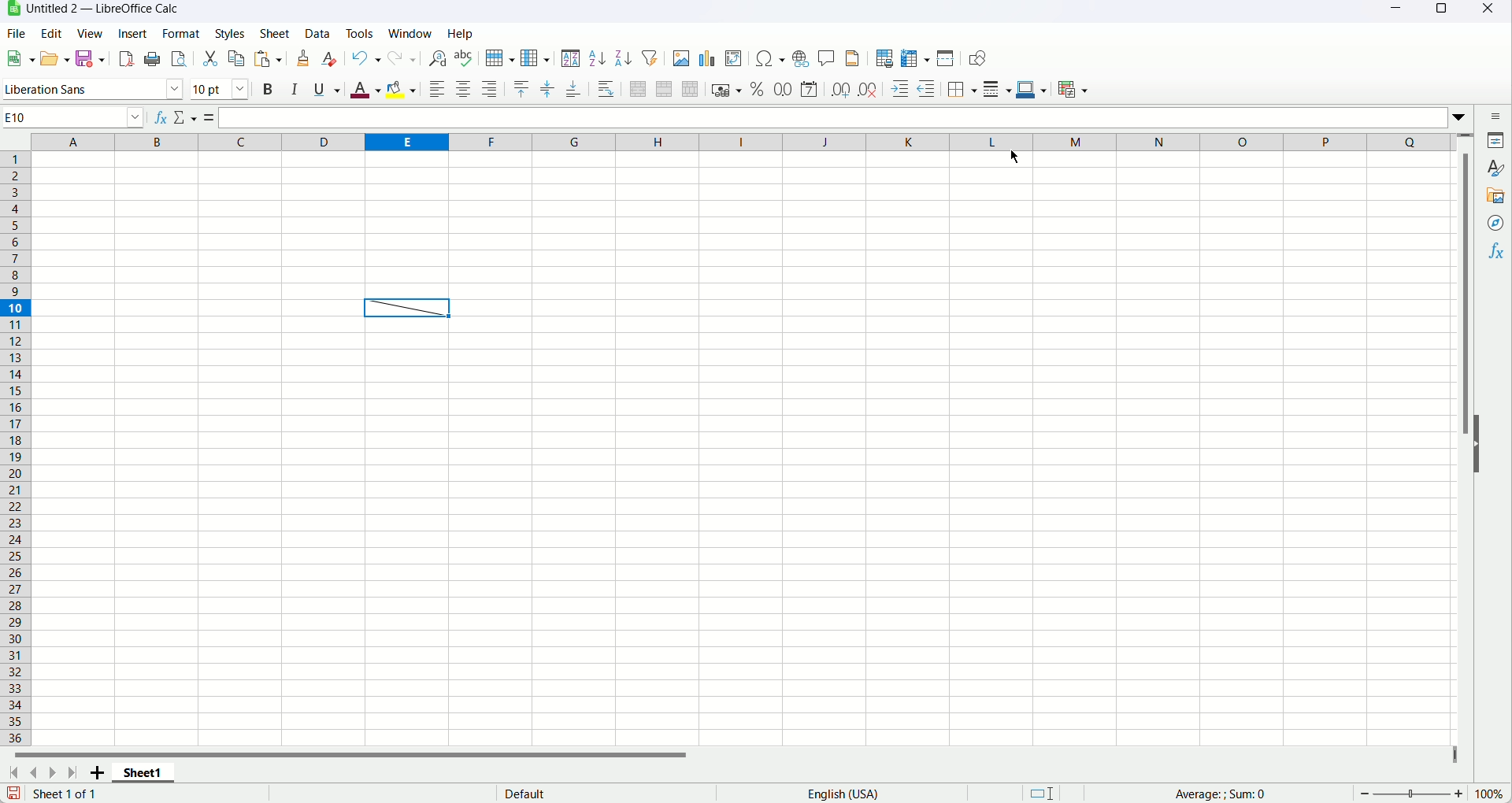  I want to click on remove decimal place, so click(867, 90).